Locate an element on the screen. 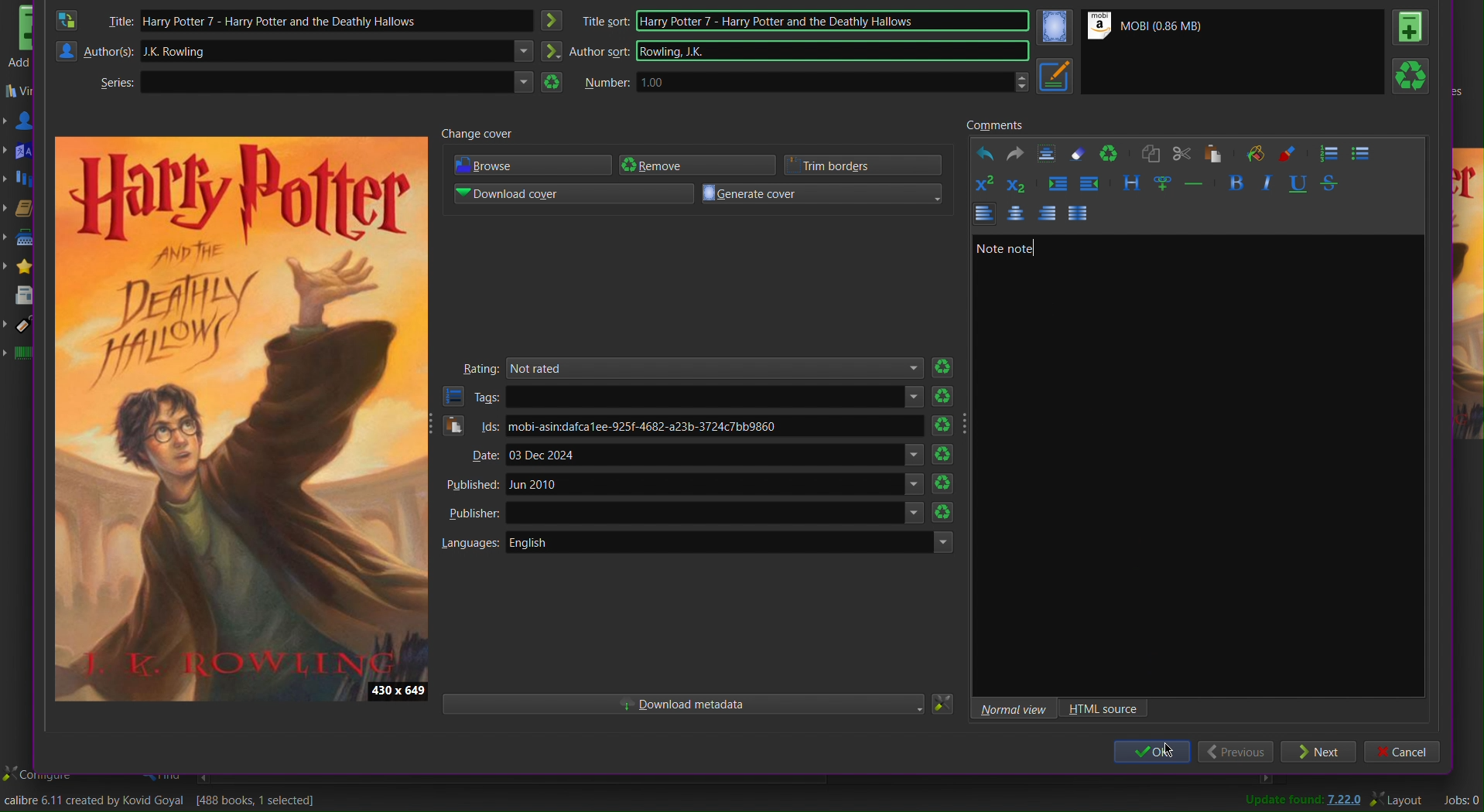  Subscript is located at coordinates (1017, 184).